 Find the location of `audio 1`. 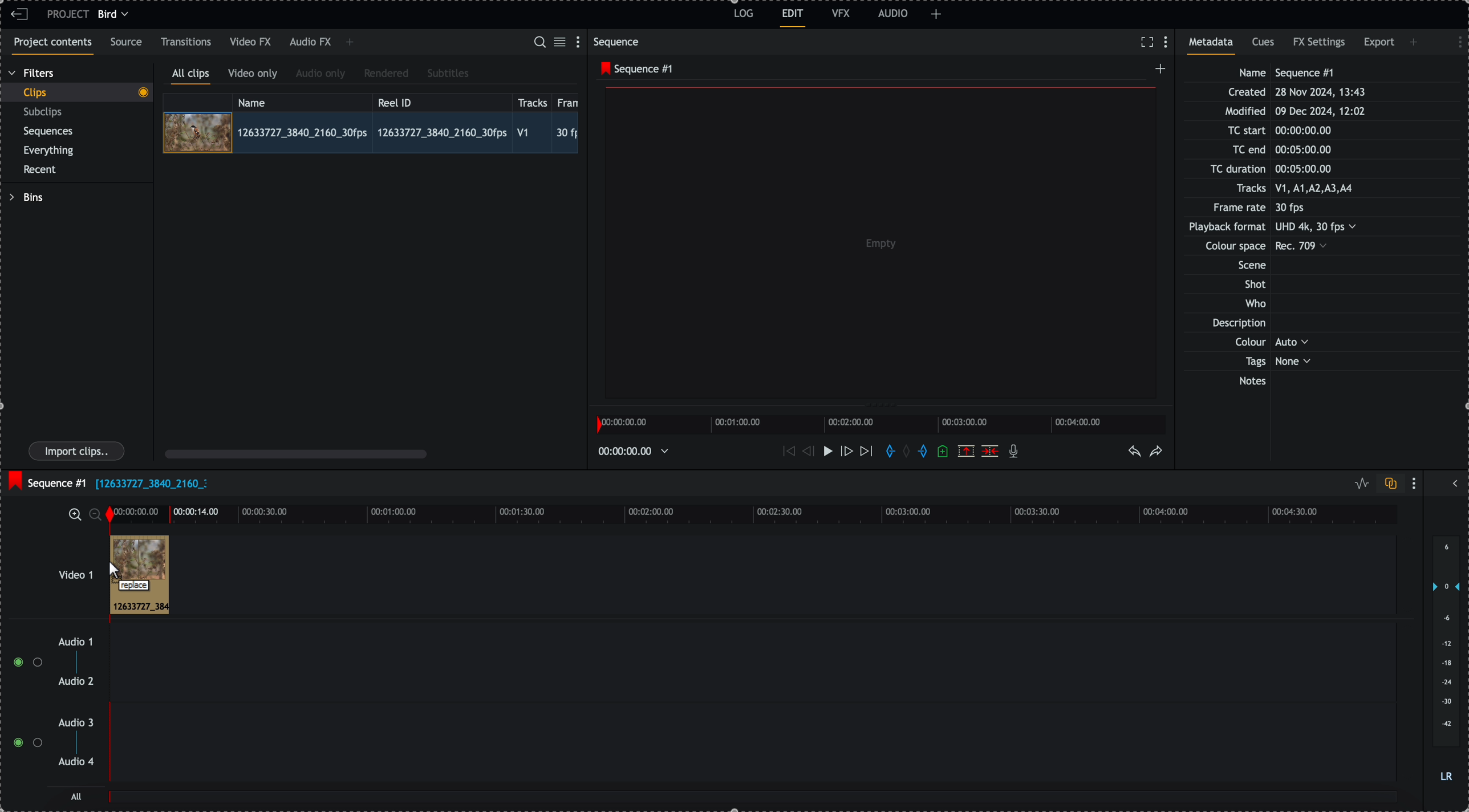

audio 1 is located at coordinates (71, 643).